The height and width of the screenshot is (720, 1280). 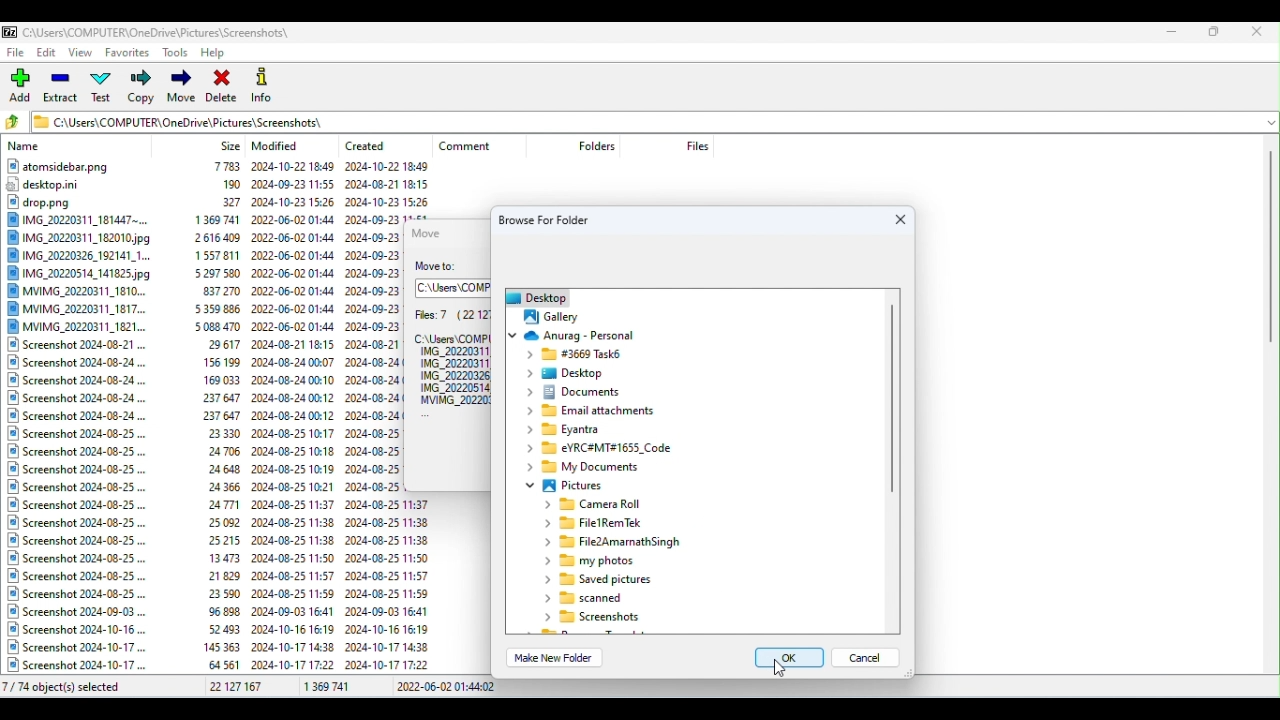 I want to click on Address bar, so click(x=454, y=288).